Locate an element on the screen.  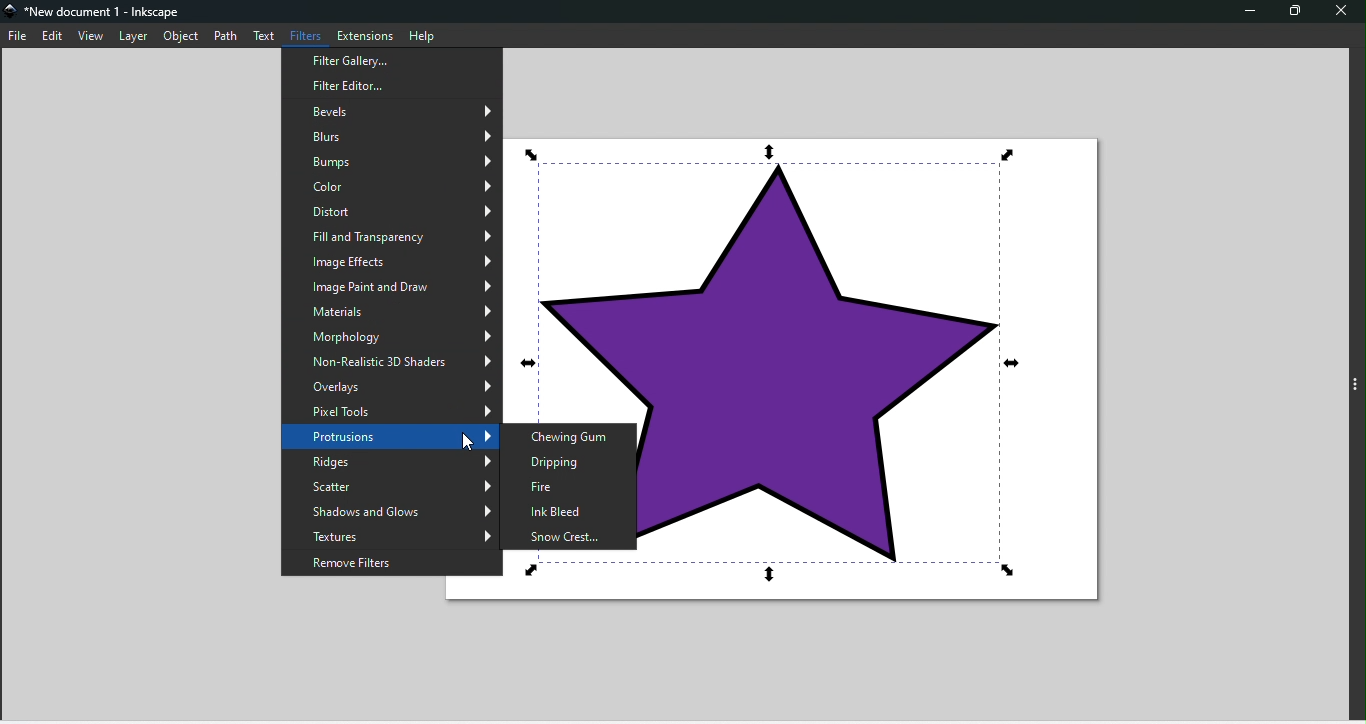
Chewing gum is located at coordinates (572, 433).